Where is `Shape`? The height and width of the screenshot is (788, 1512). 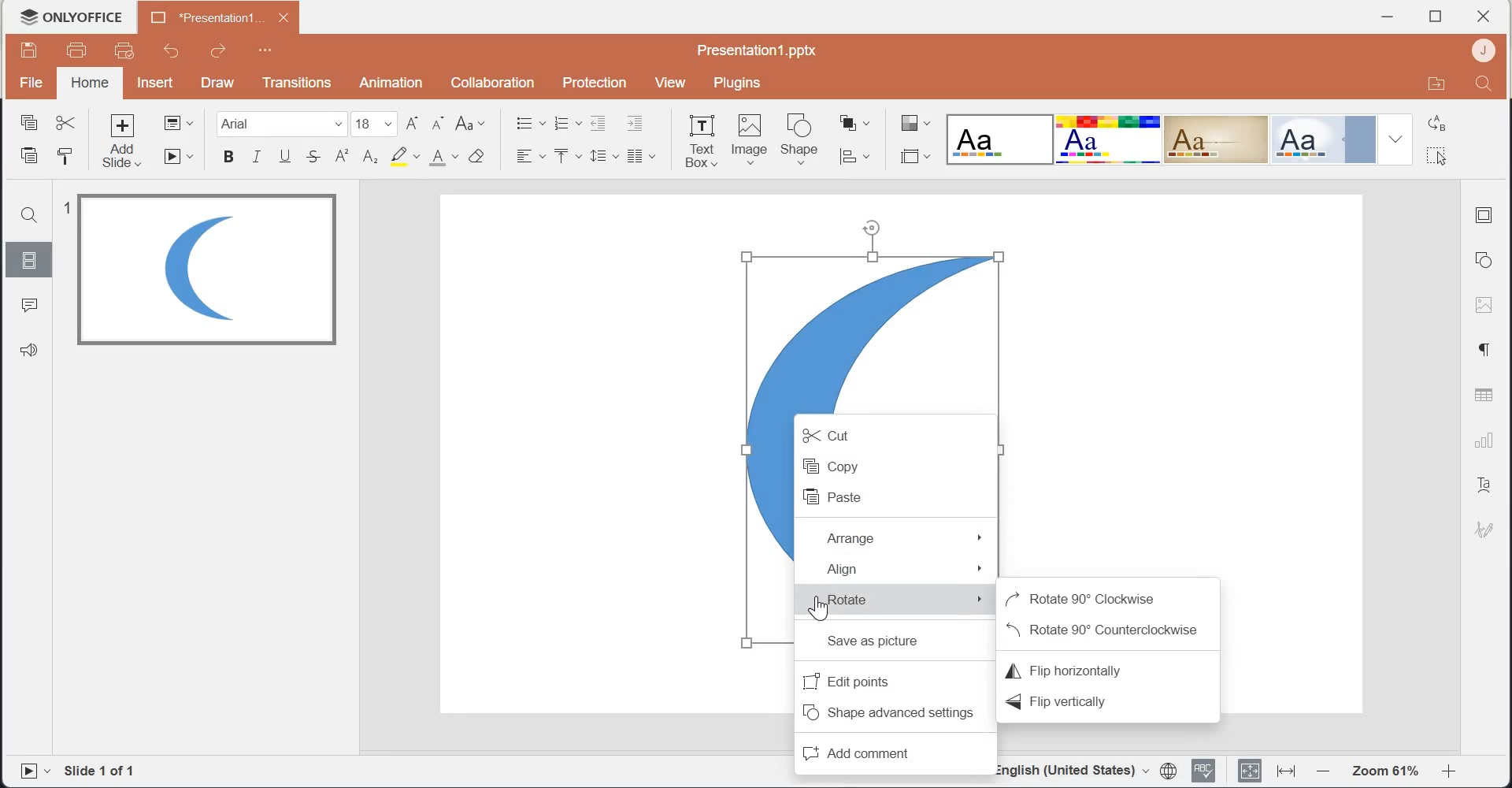
Shape is located at coordinates (802, 138).